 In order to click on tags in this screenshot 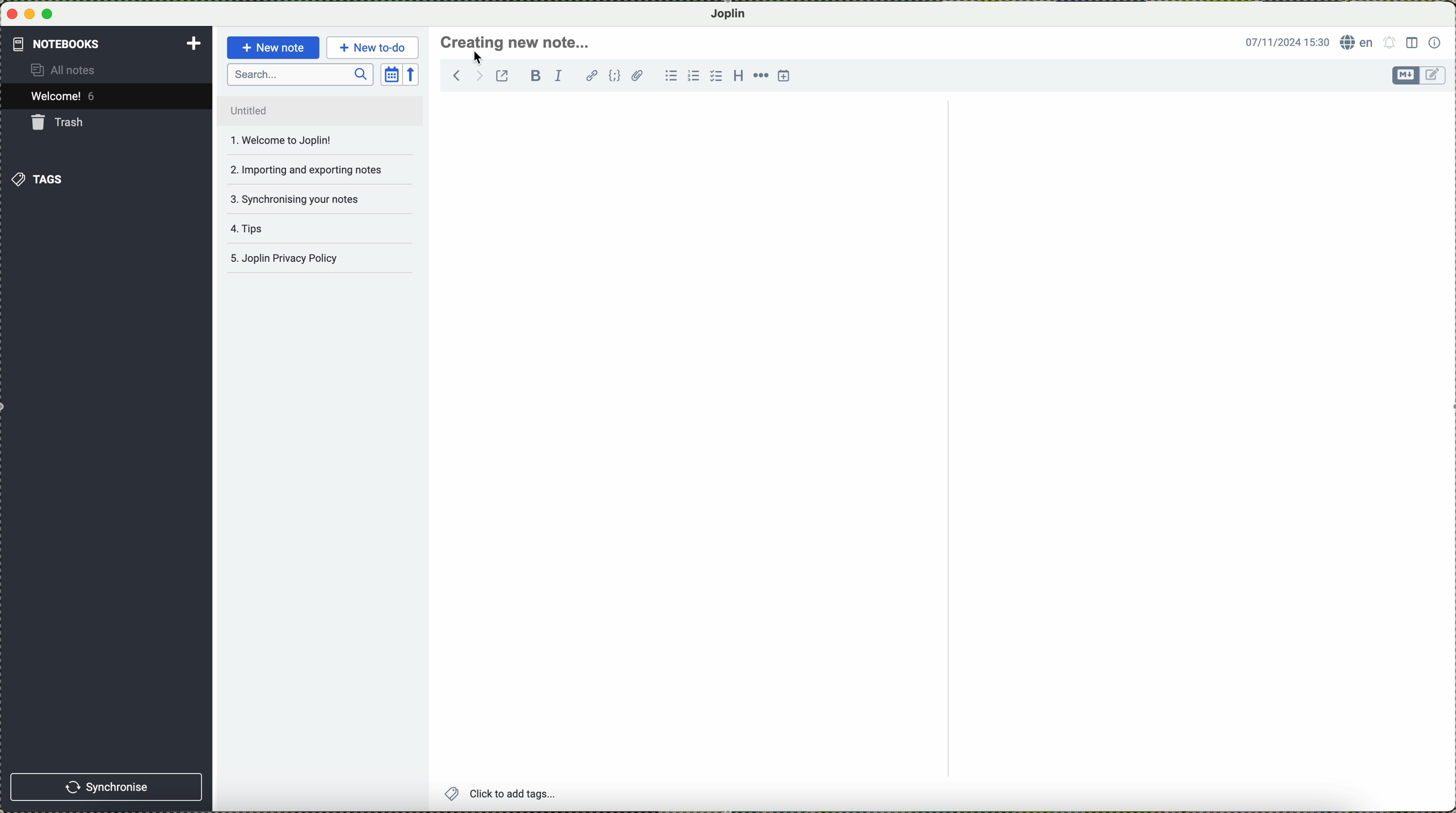, I will do `click(39, 179)`.